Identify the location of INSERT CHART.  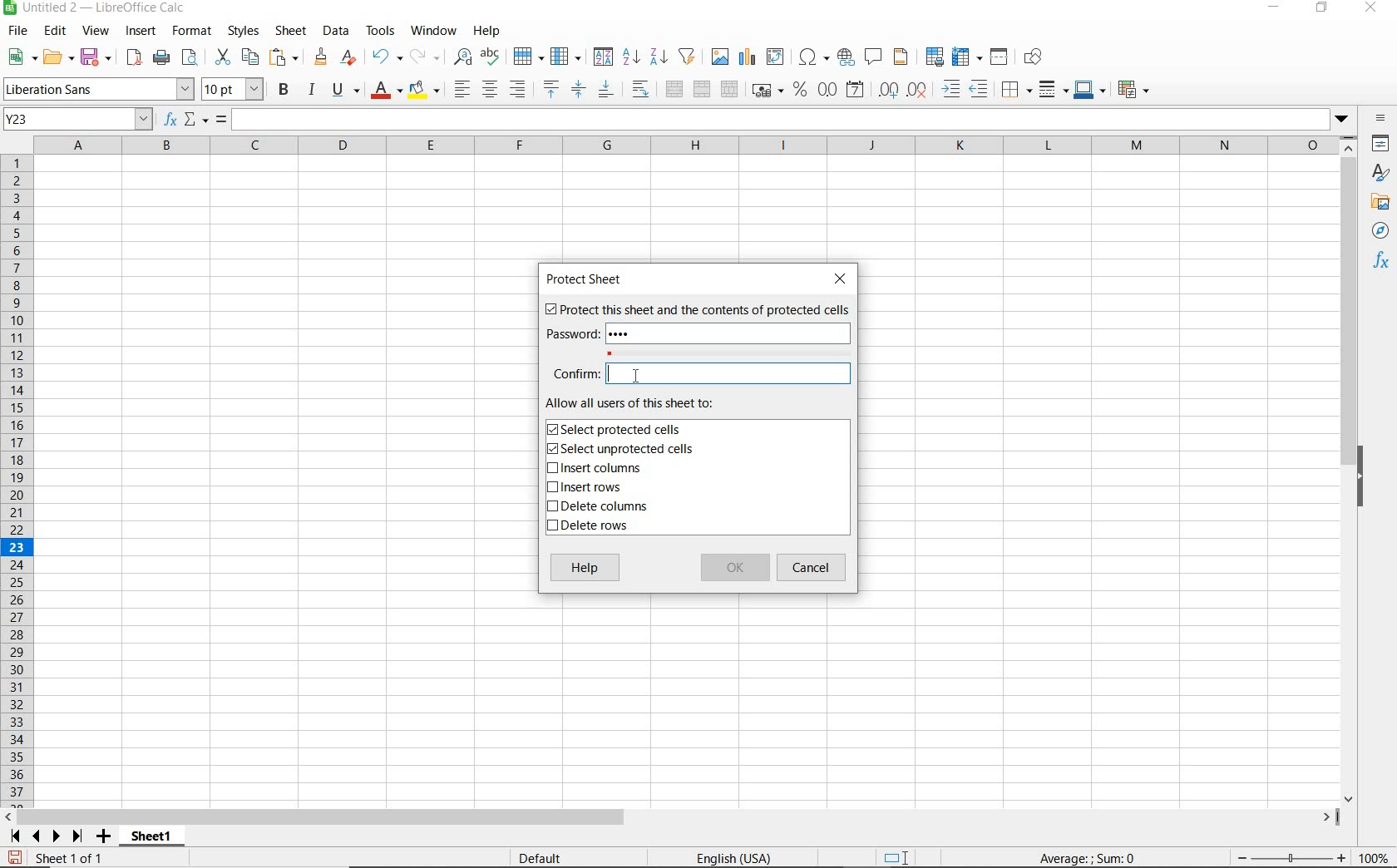
(748, 57).